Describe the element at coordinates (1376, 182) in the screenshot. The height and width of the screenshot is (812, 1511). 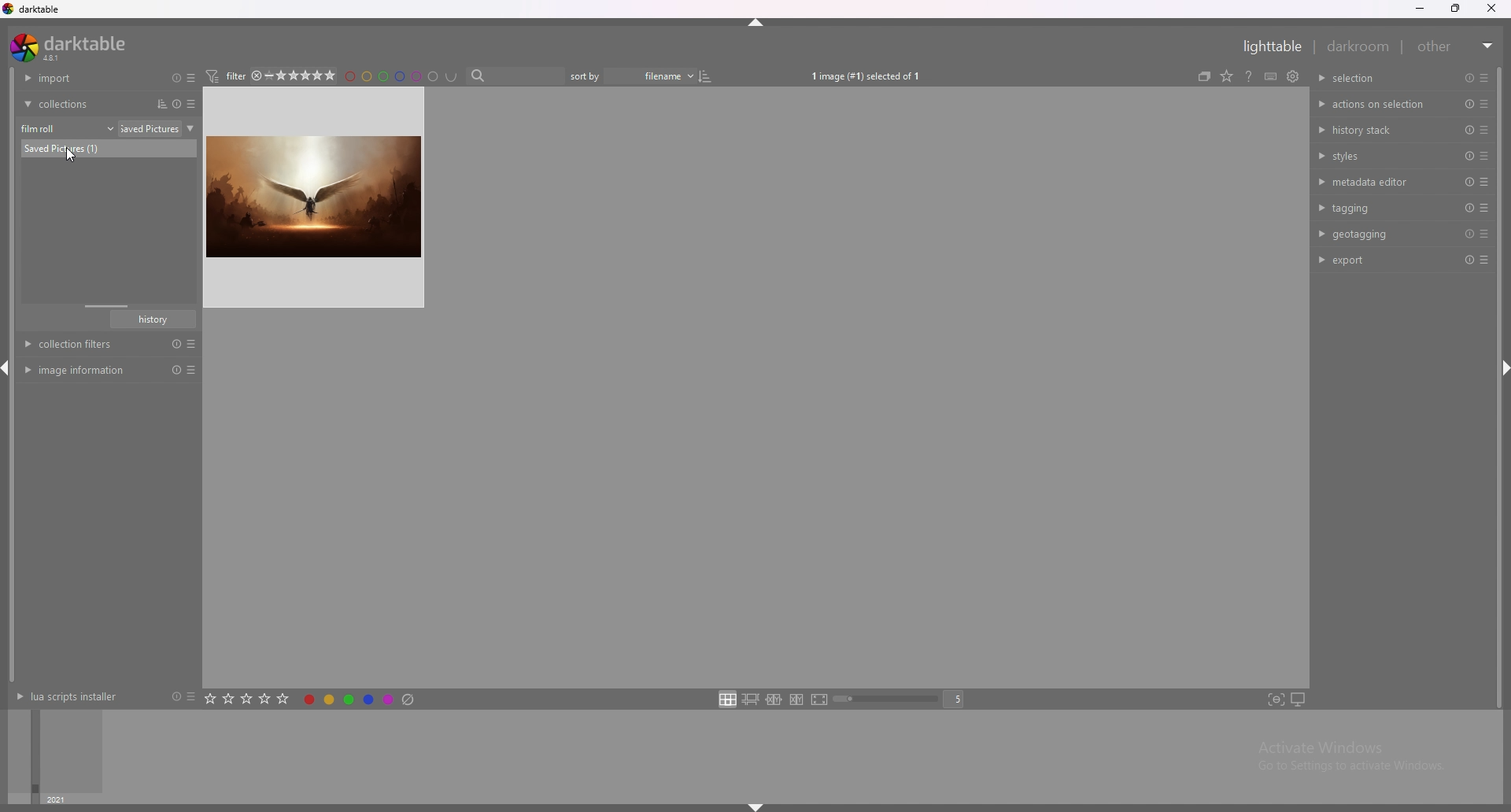
I see `metadata editor` at that location.